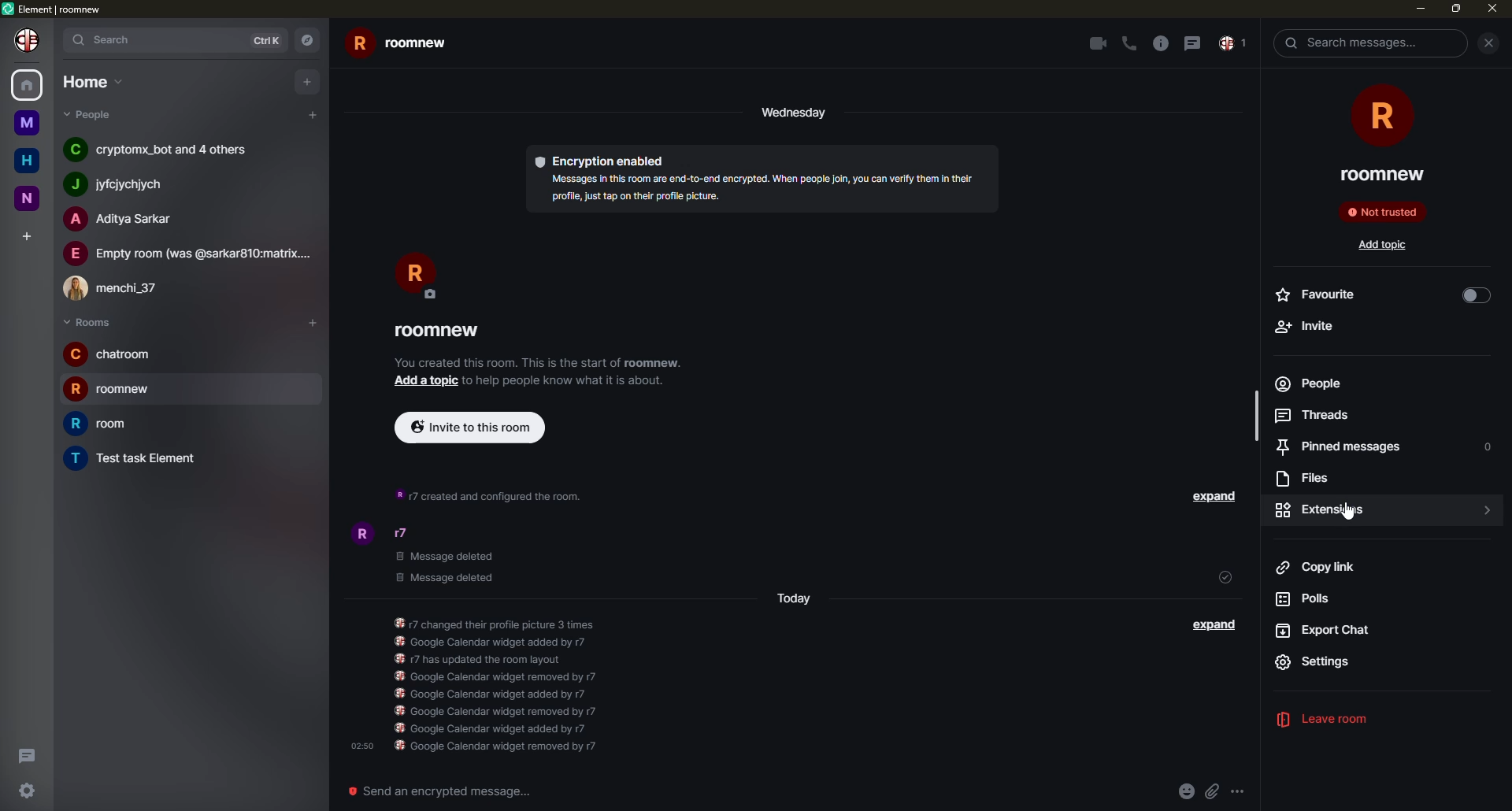 This screenshot has height=811, width=1512. What do you see at coordinates (1303, 477) in the screenshot?
I see `files` at bounding box center [1303, 477].